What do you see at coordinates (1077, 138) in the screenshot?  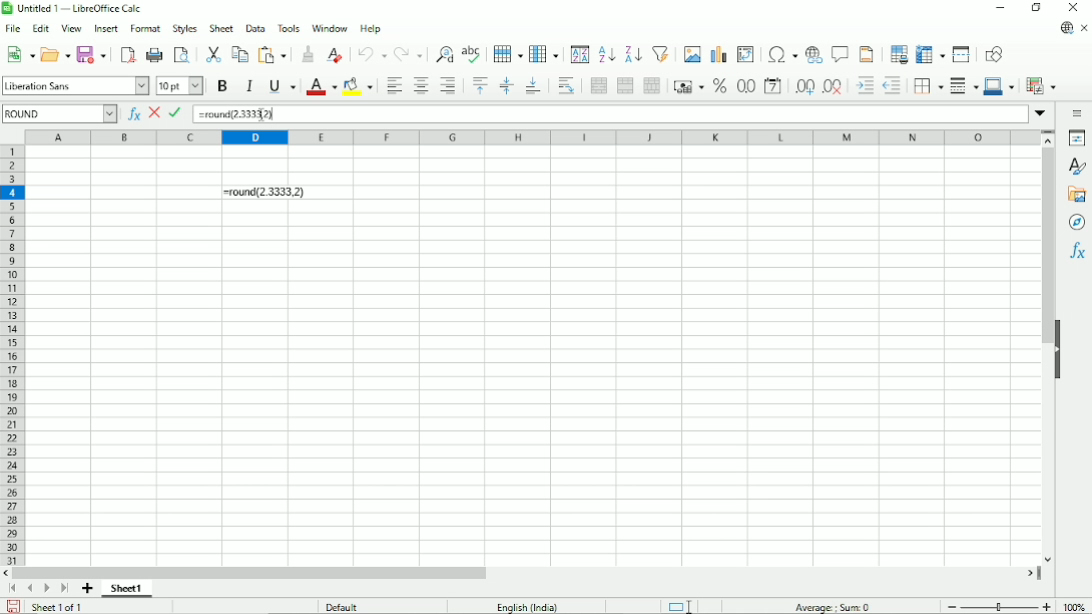 I see `Properties` at bounding box center [1077, 138].